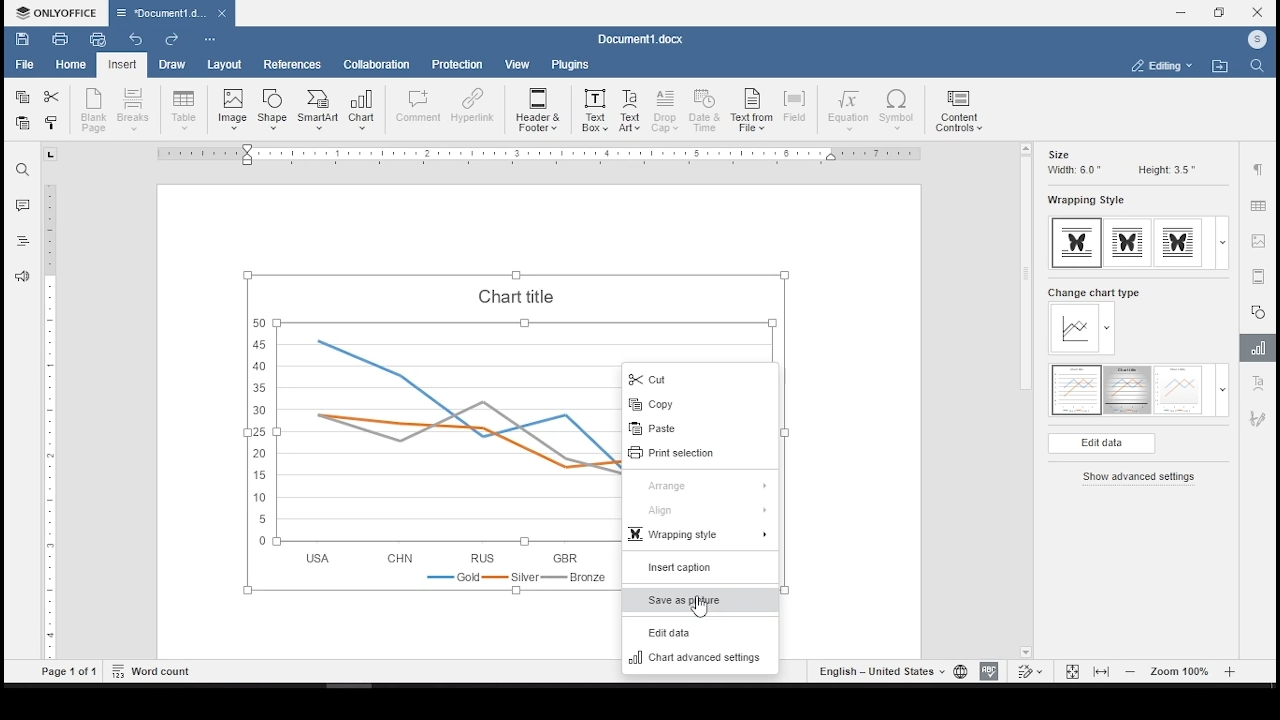 This screenshot has height=720, width=1280. What do you see at coordinates (1161, 67) in the screenshot?
I see `select workspace` at bounding box center [1161, 67].